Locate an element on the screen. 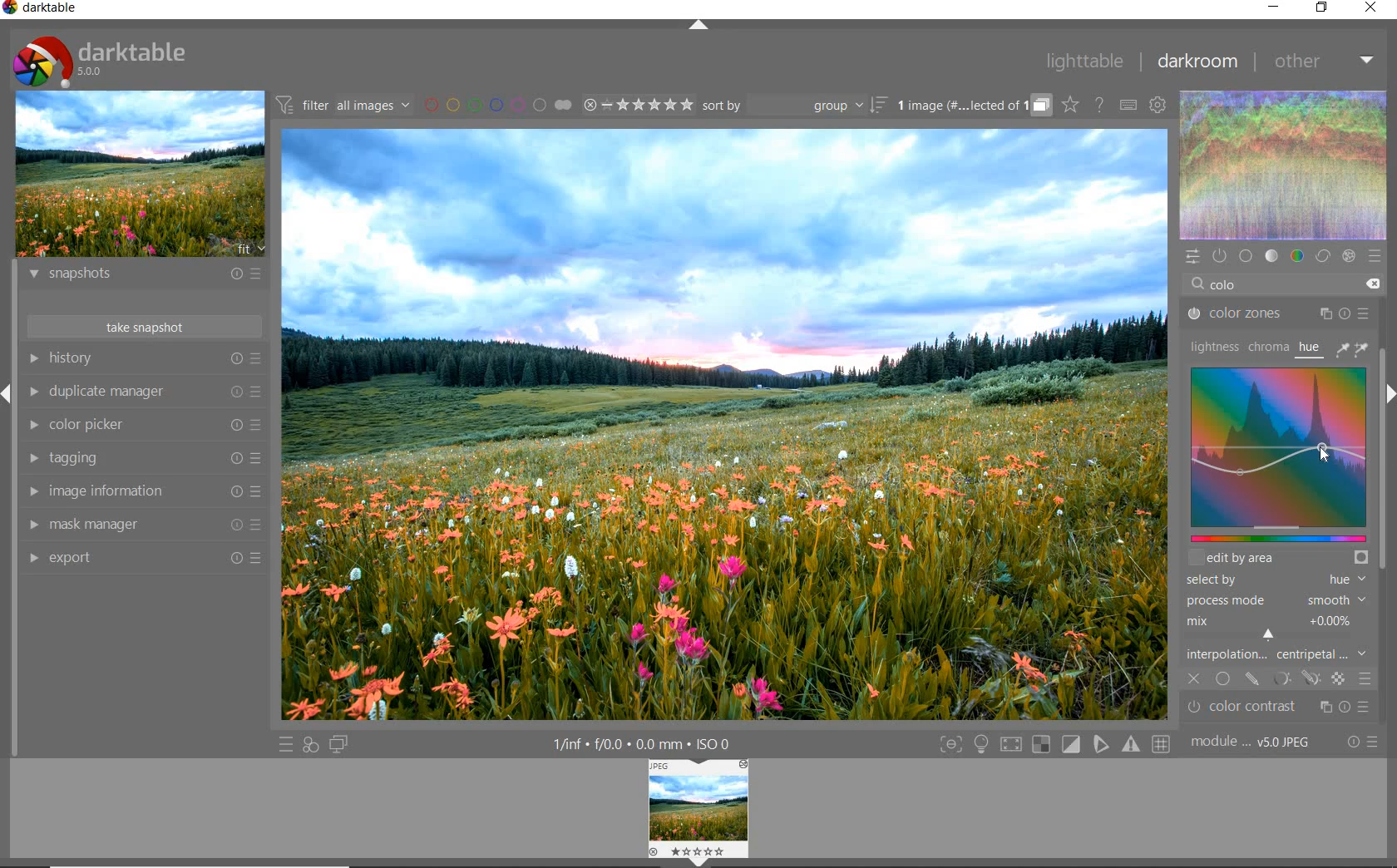  restore is located at coordinates (1324, 8).